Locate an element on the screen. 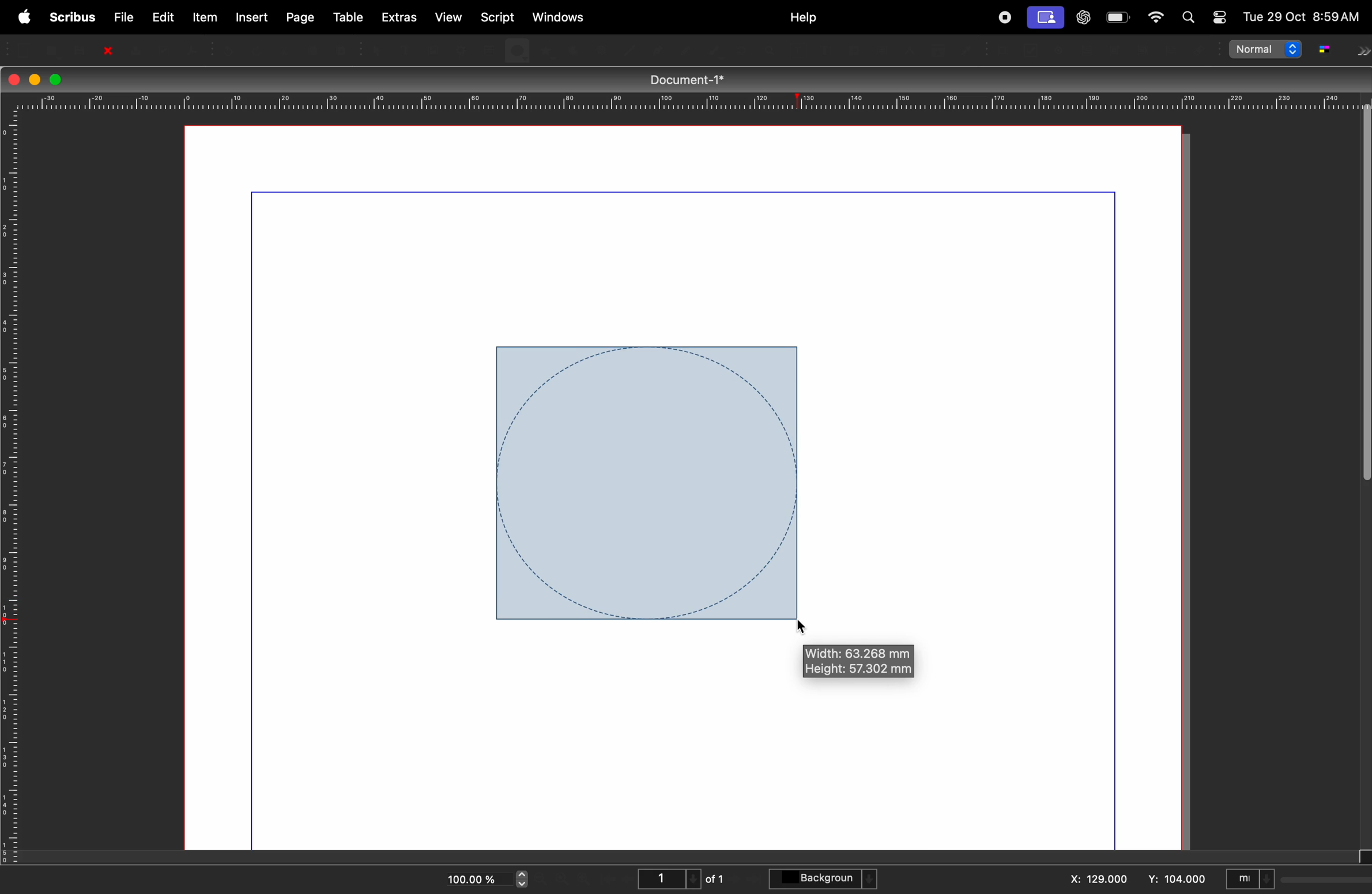 Image resolution: width=1372 pixels, height=894 pixels. help is located at coordinates (803, 18).